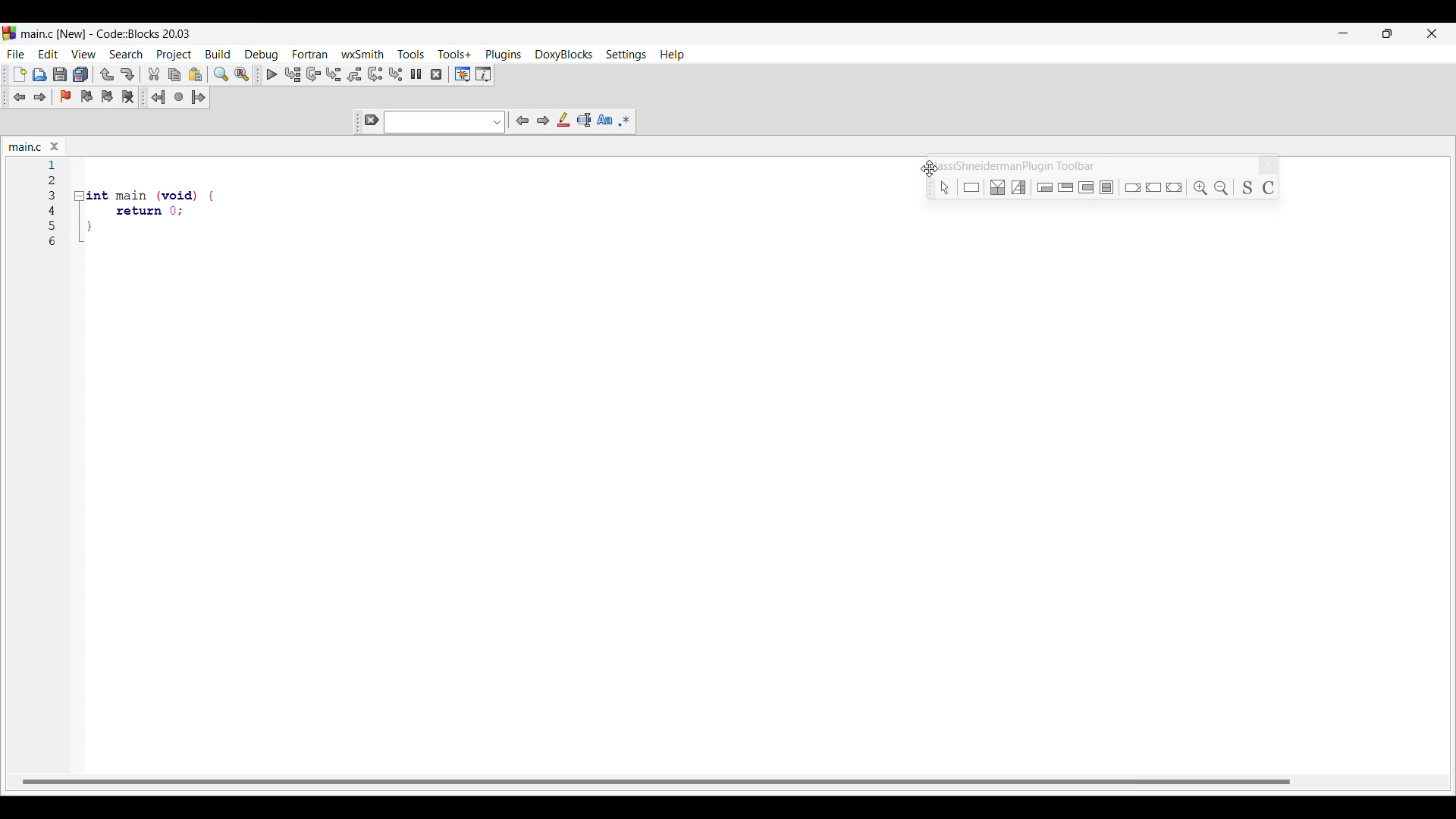 The width and height of the screenshot is (1456, 819). What do you see at coordinates (1200, 187) in the screenshot?
I see `` at bounding box center [1200, 187].